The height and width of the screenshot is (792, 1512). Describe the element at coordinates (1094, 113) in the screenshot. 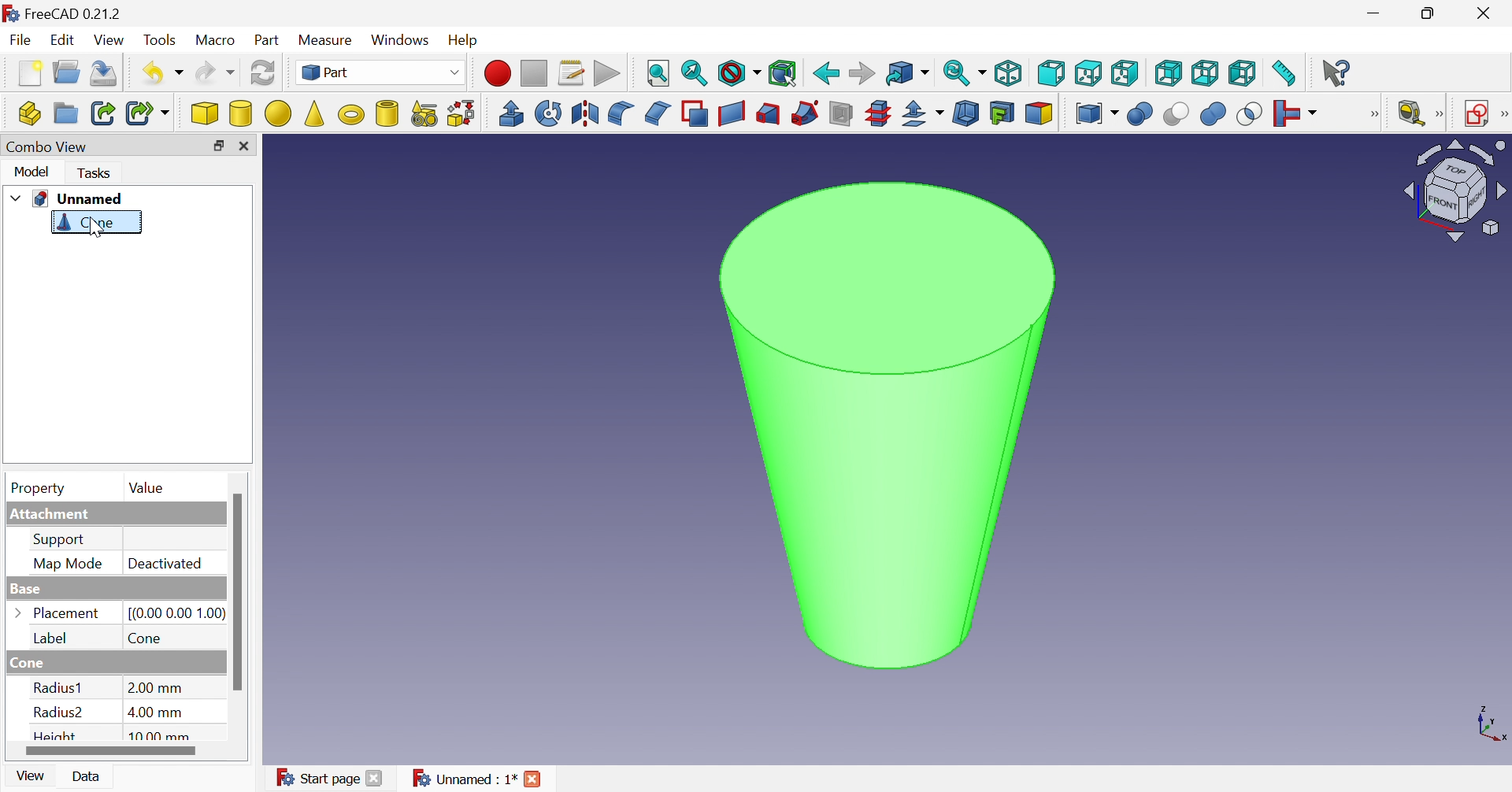

I see `Compound tools` at that location.